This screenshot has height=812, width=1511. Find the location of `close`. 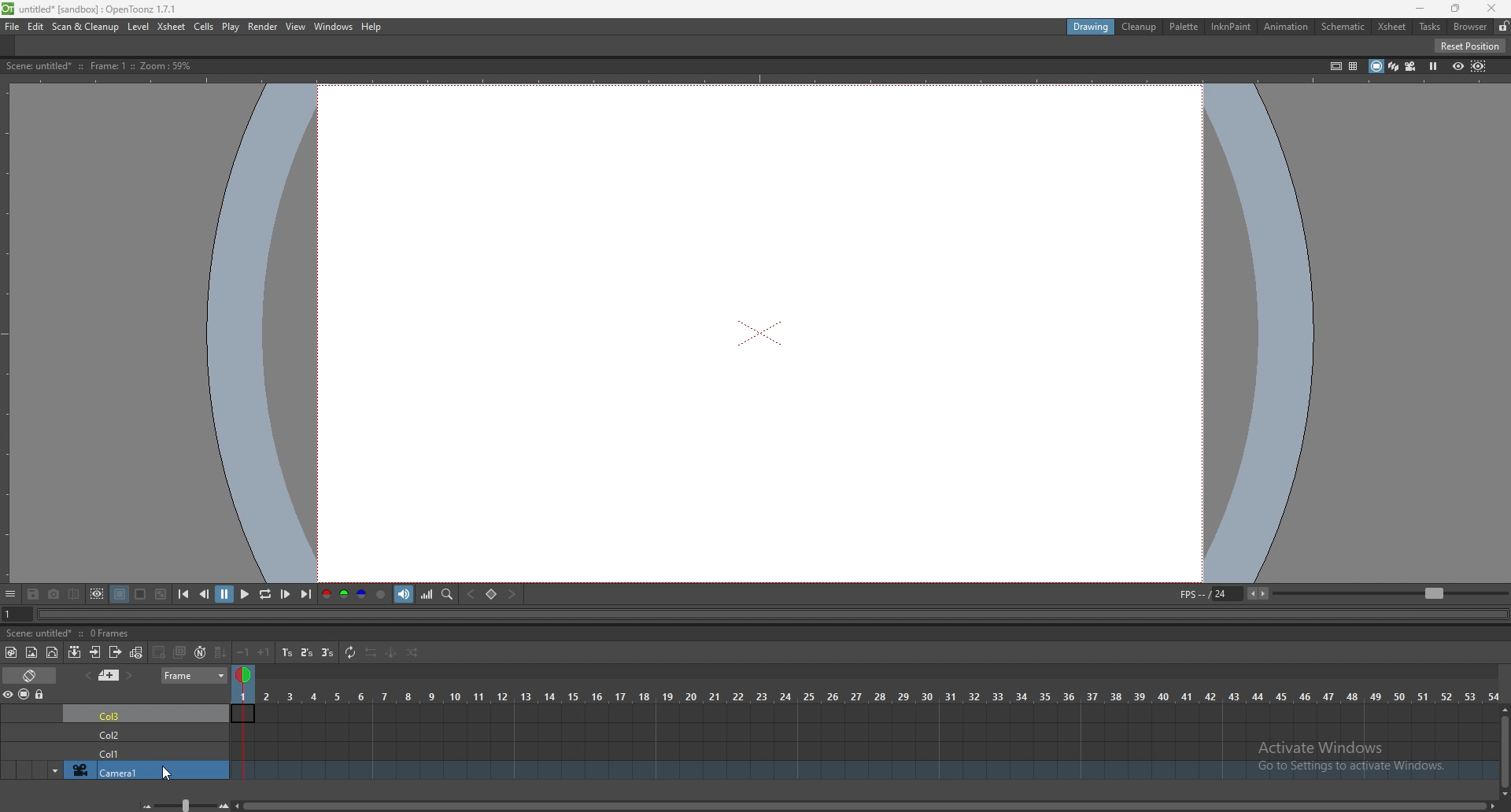

close is located at coordinates (1492, 9).